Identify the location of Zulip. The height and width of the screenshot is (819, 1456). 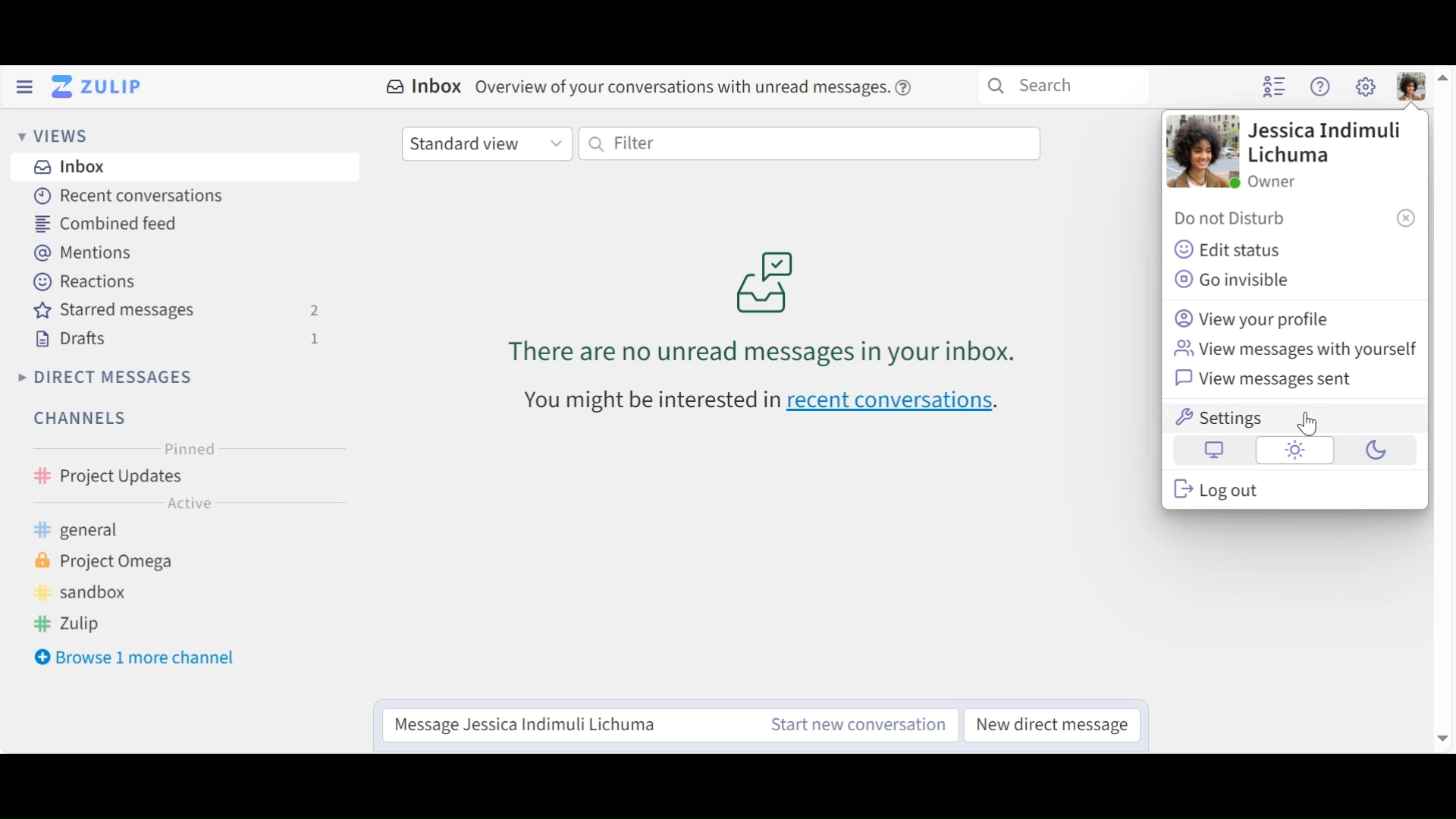
(91, 623).